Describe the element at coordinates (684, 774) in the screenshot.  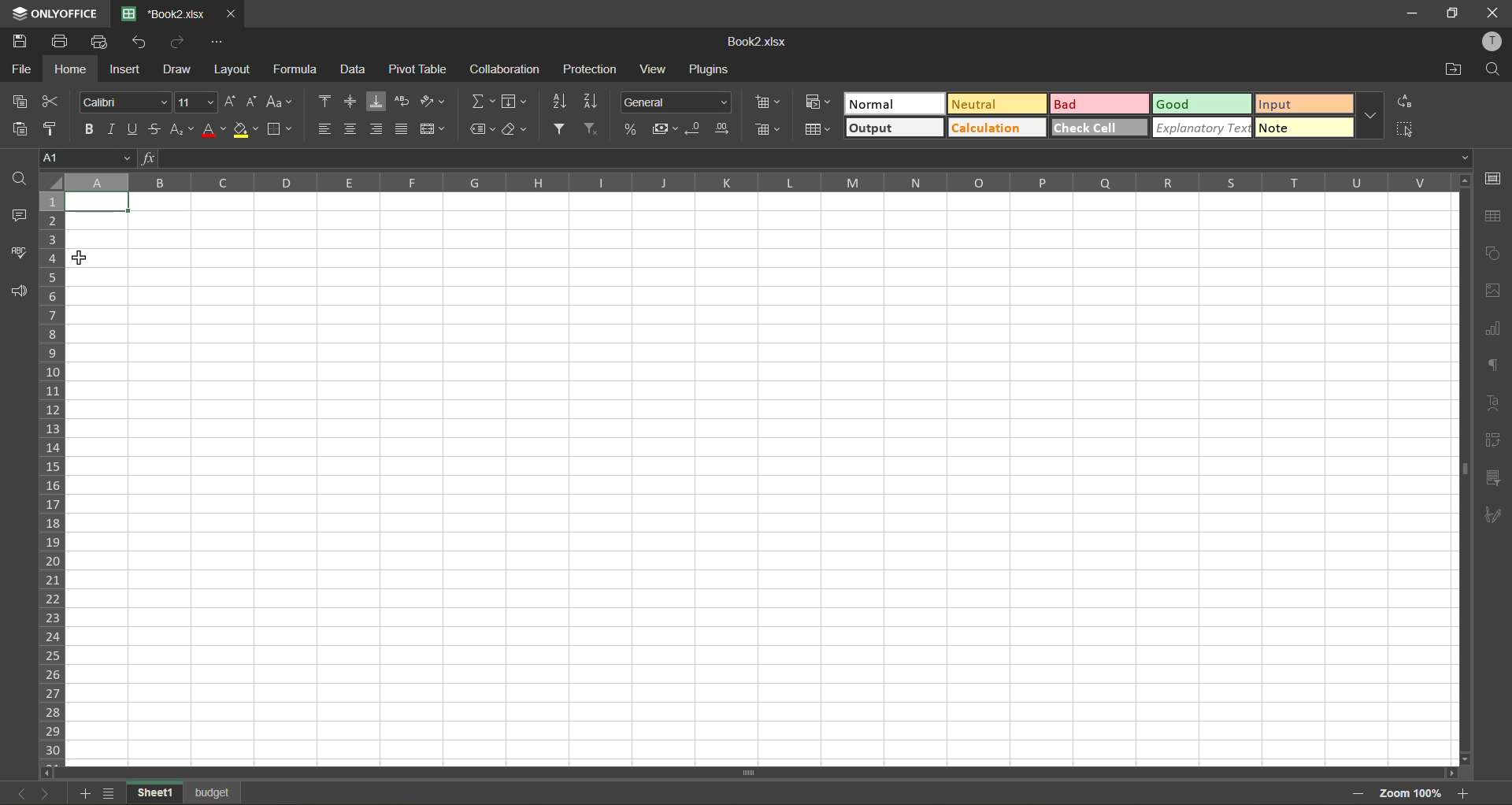
I see `scroll bar` at that location.